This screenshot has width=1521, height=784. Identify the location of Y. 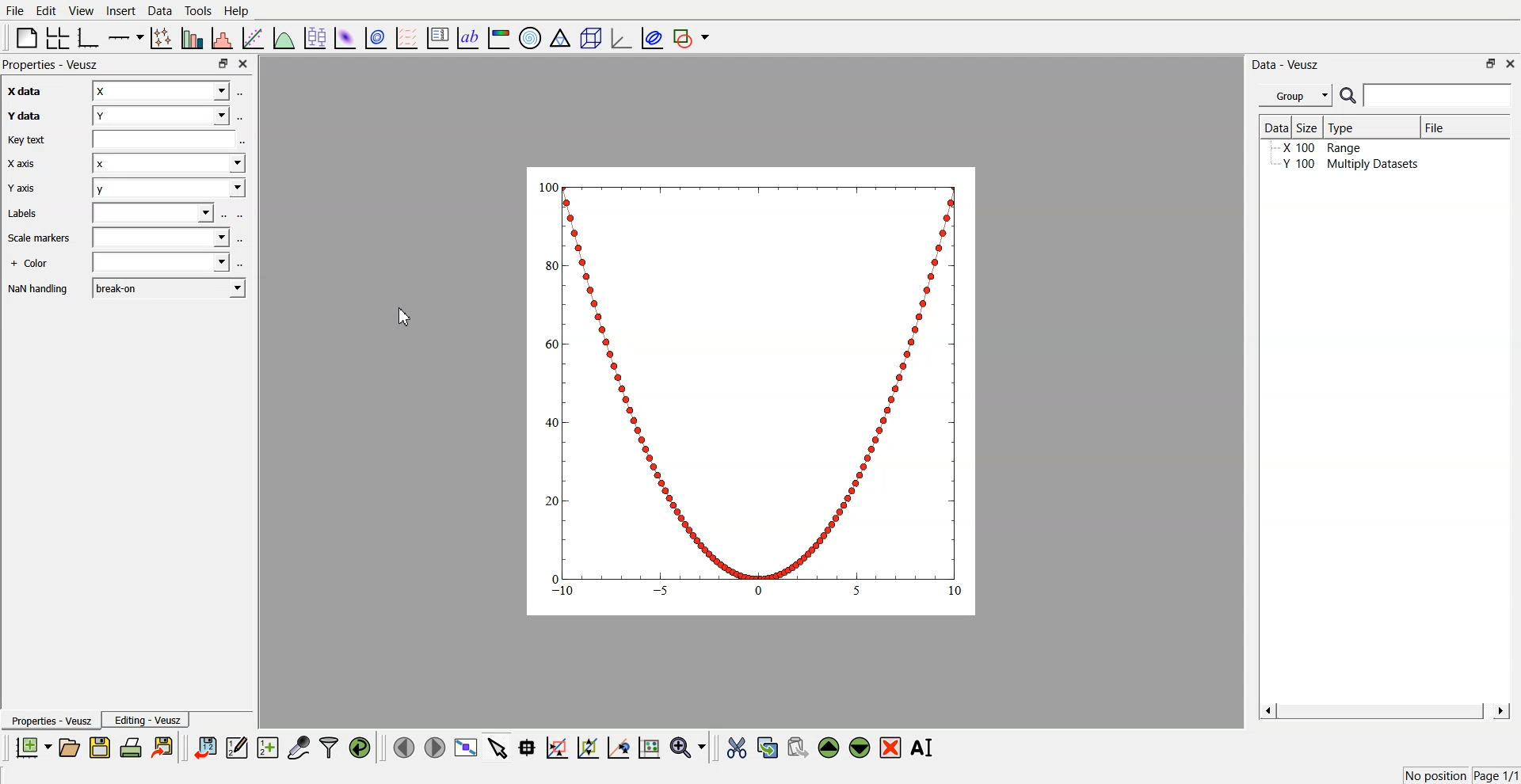
(169, 188).